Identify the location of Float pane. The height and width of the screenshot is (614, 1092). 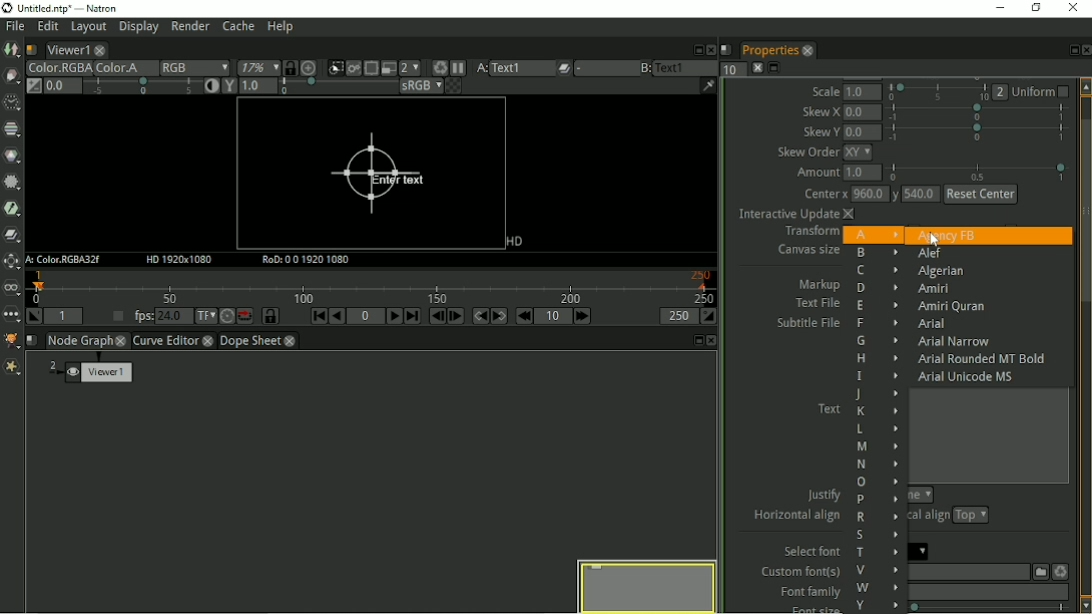
(1070, 50).